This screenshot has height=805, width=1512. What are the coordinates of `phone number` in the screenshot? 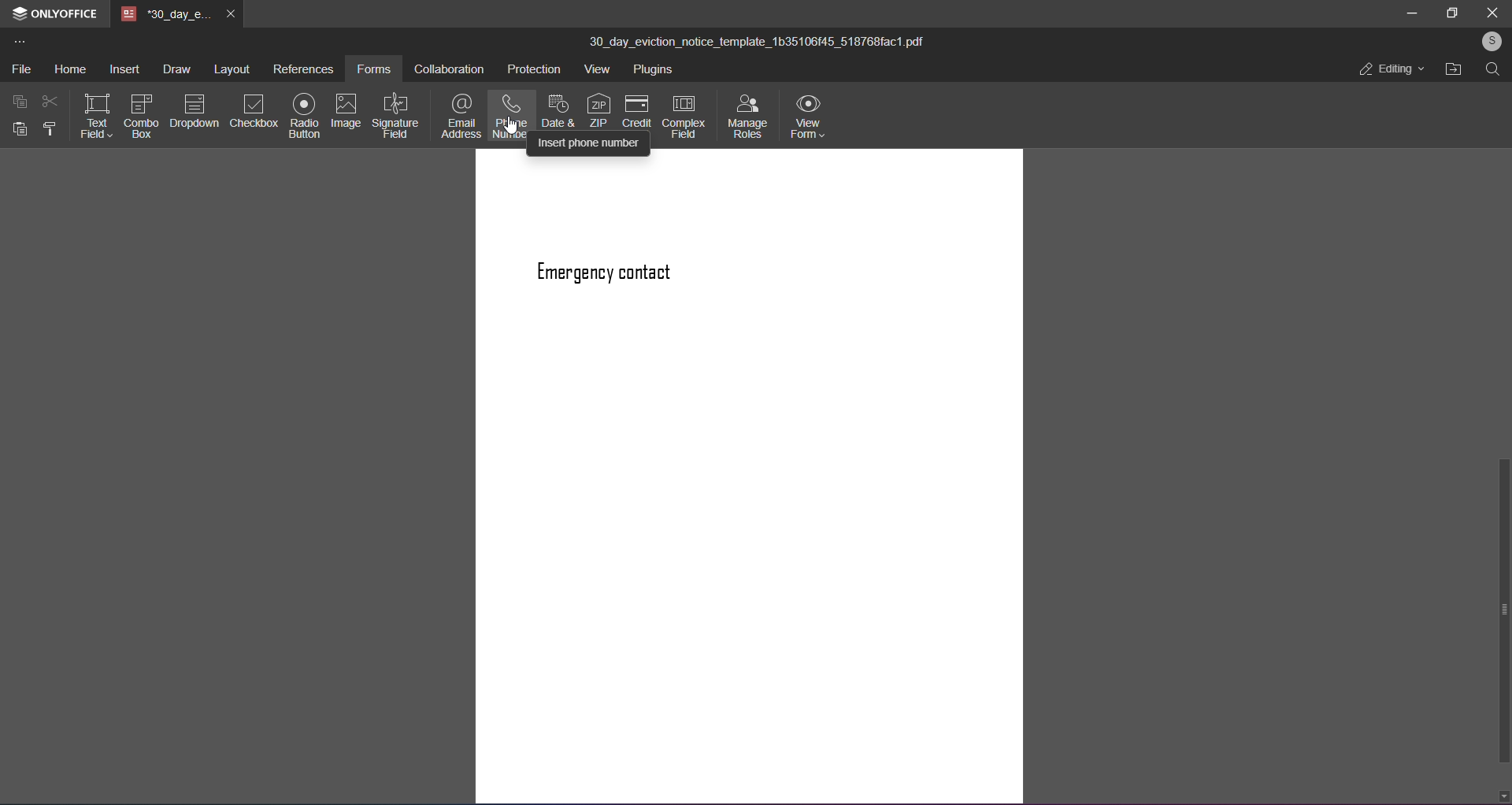 It's located at (513, 116).